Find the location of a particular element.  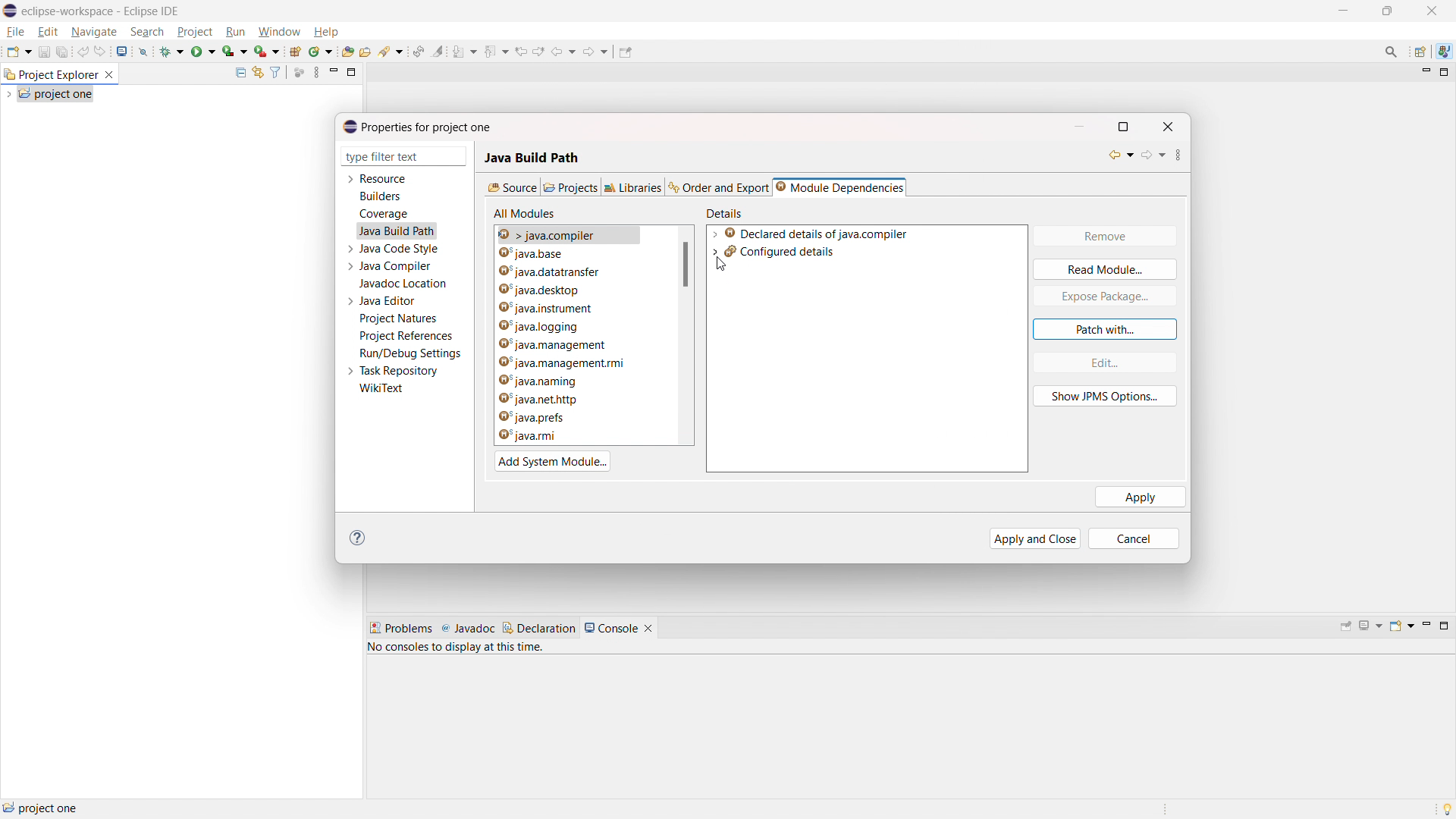

redo is located at coordinates (101, 51).